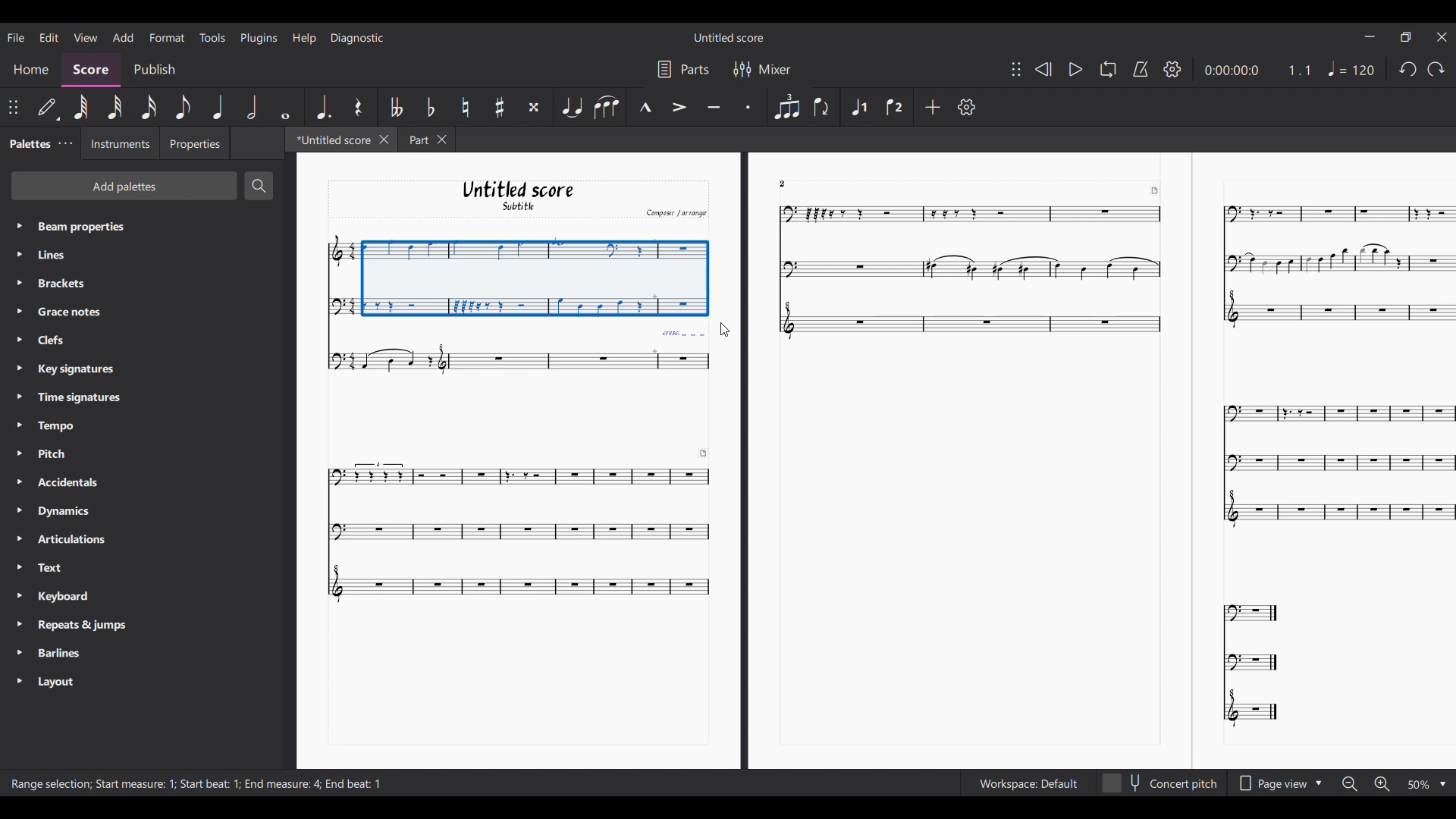 The height and width of the screenshot is (819, 1456). I want to click on , so click(1250, 661).